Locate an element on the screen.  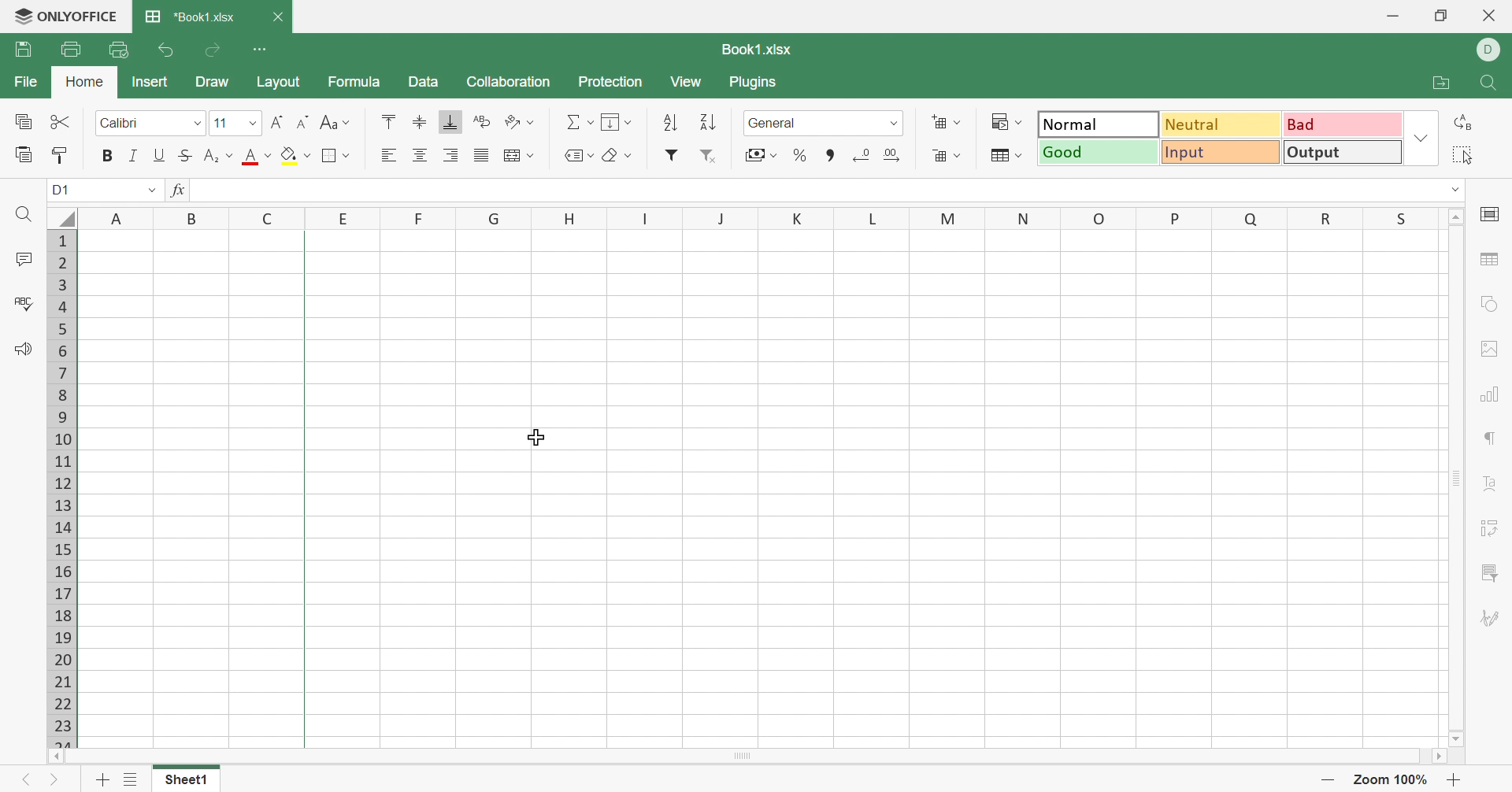
Align Middle is located at coordinates (420, 121).